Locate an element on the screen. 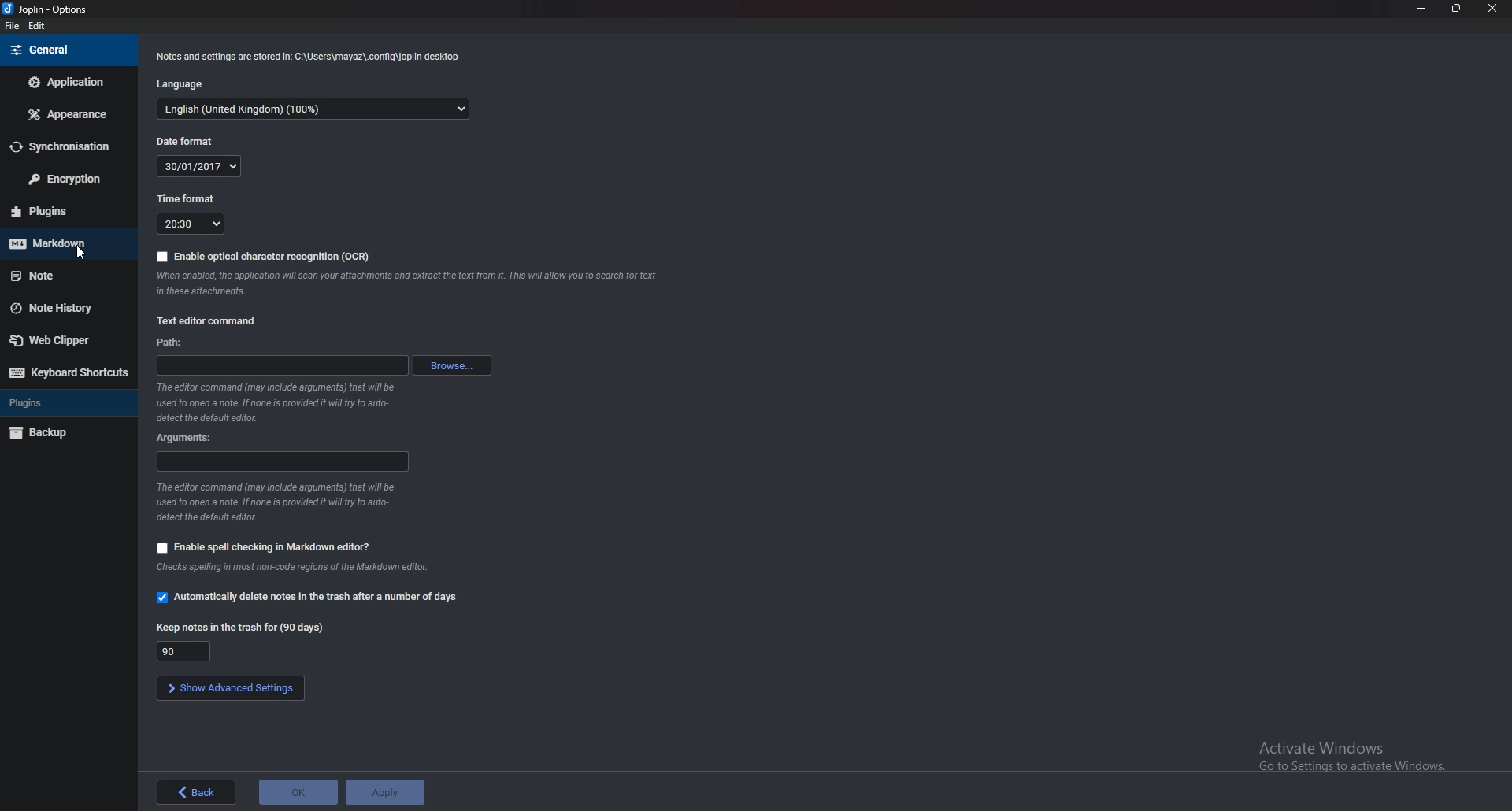  Appearance is located at coordinates (69, 116).